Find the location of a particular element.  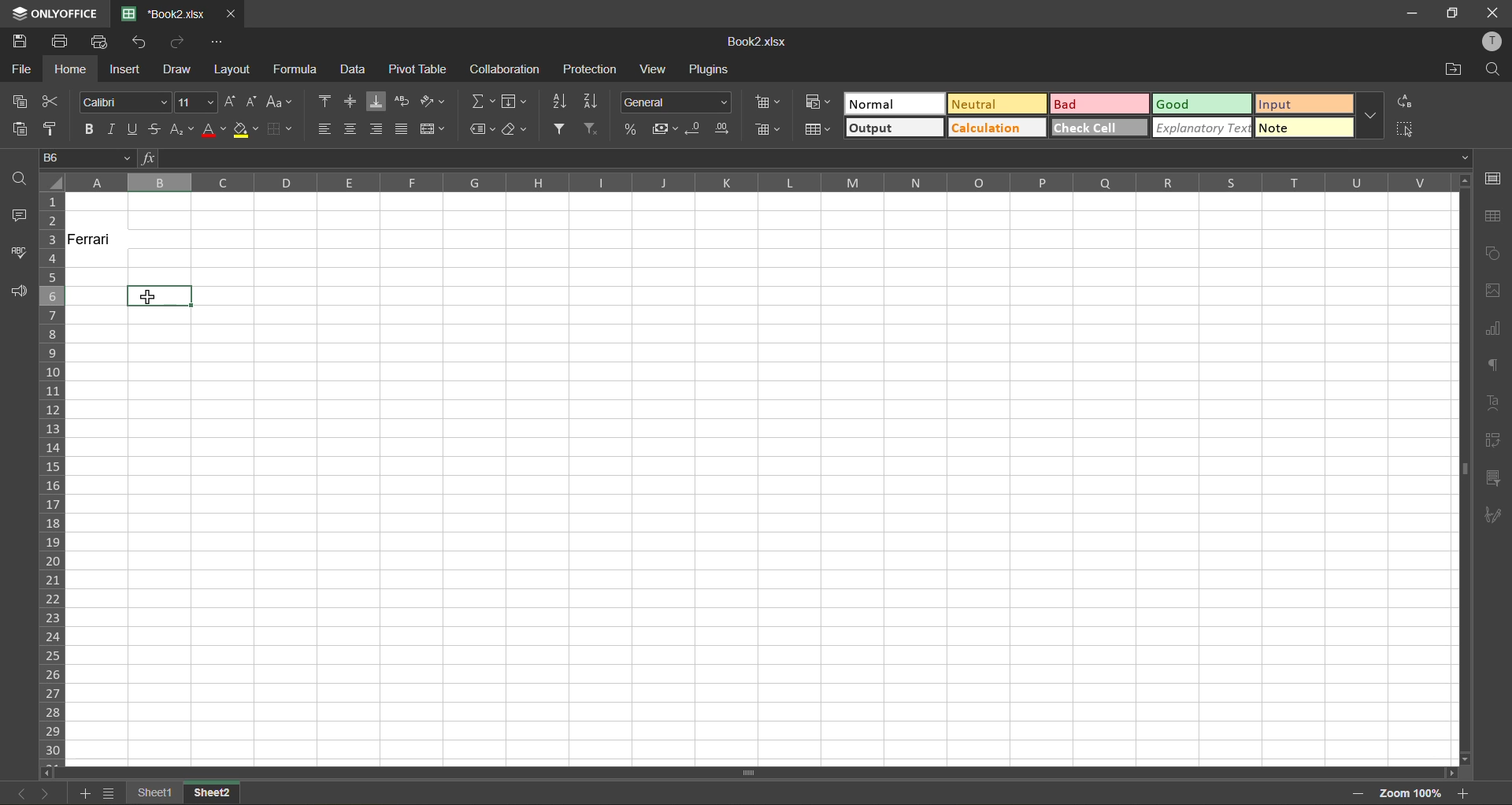

images is located at coordinates (1490, 291).